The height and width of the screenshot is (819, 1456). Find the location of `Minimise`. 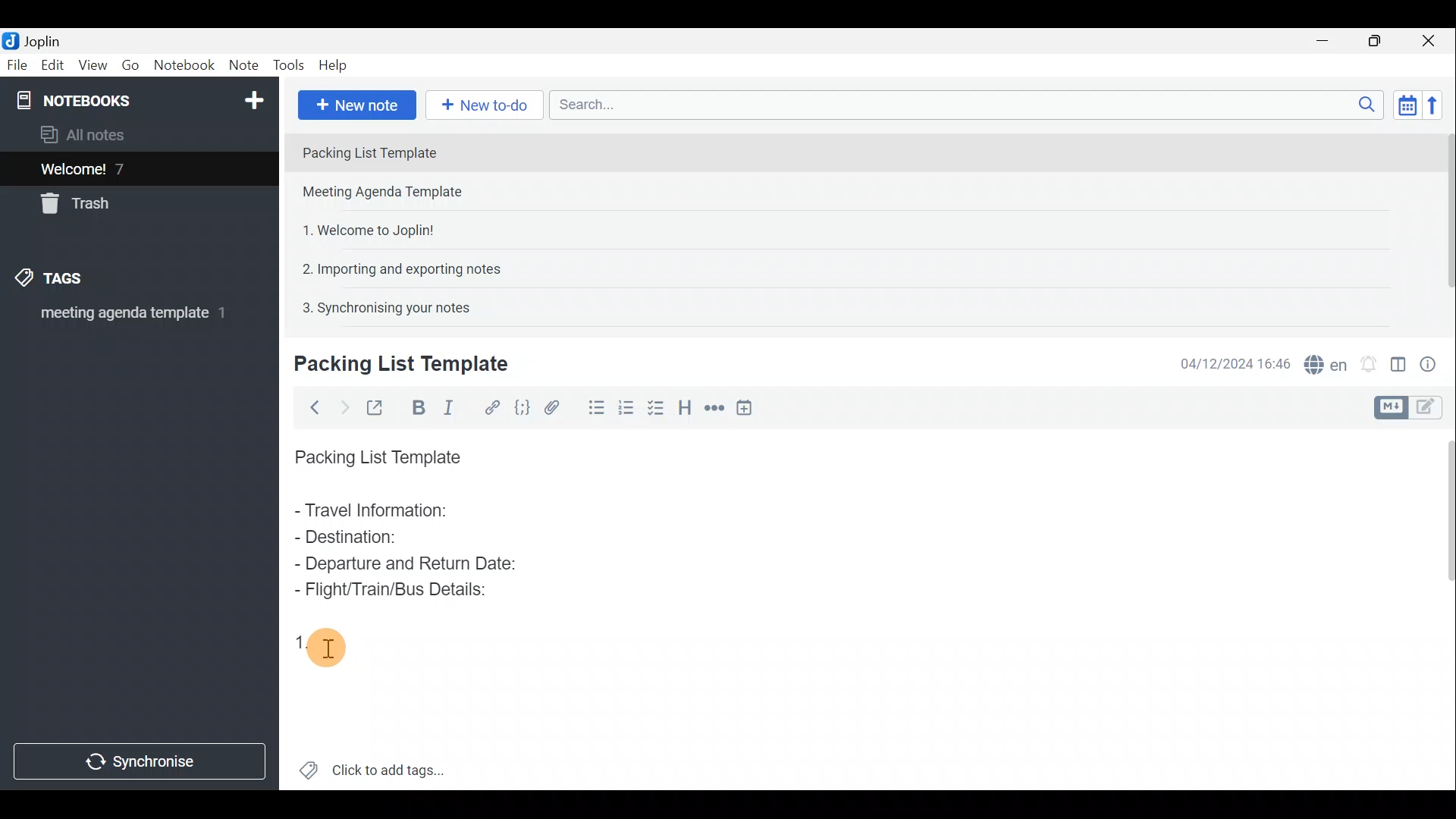

Minimise is located at coordinates (1330, 43).